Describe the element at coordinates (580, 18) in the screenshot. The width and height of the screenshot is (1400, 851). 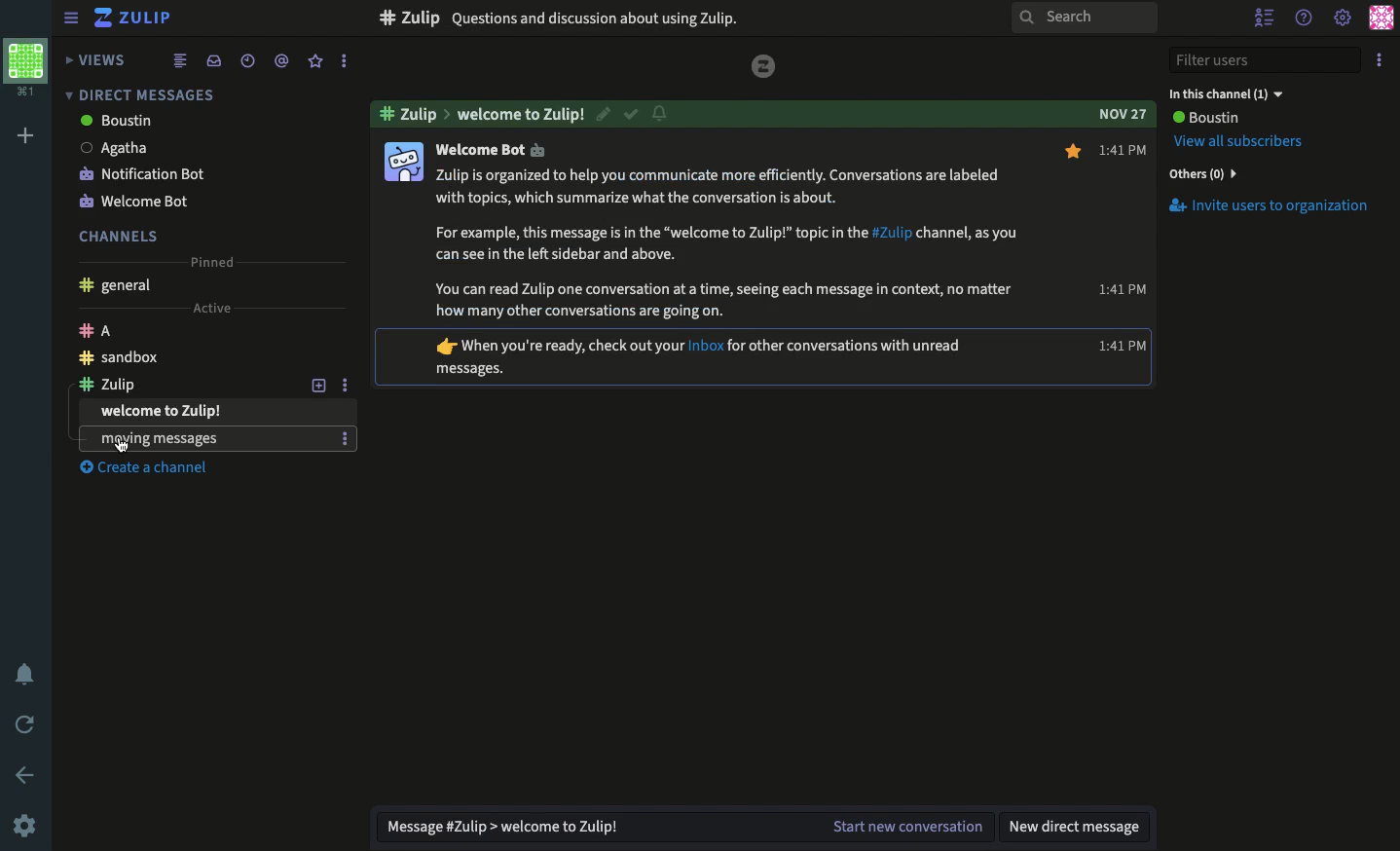
I see `Experiment with zulip here` at that location.